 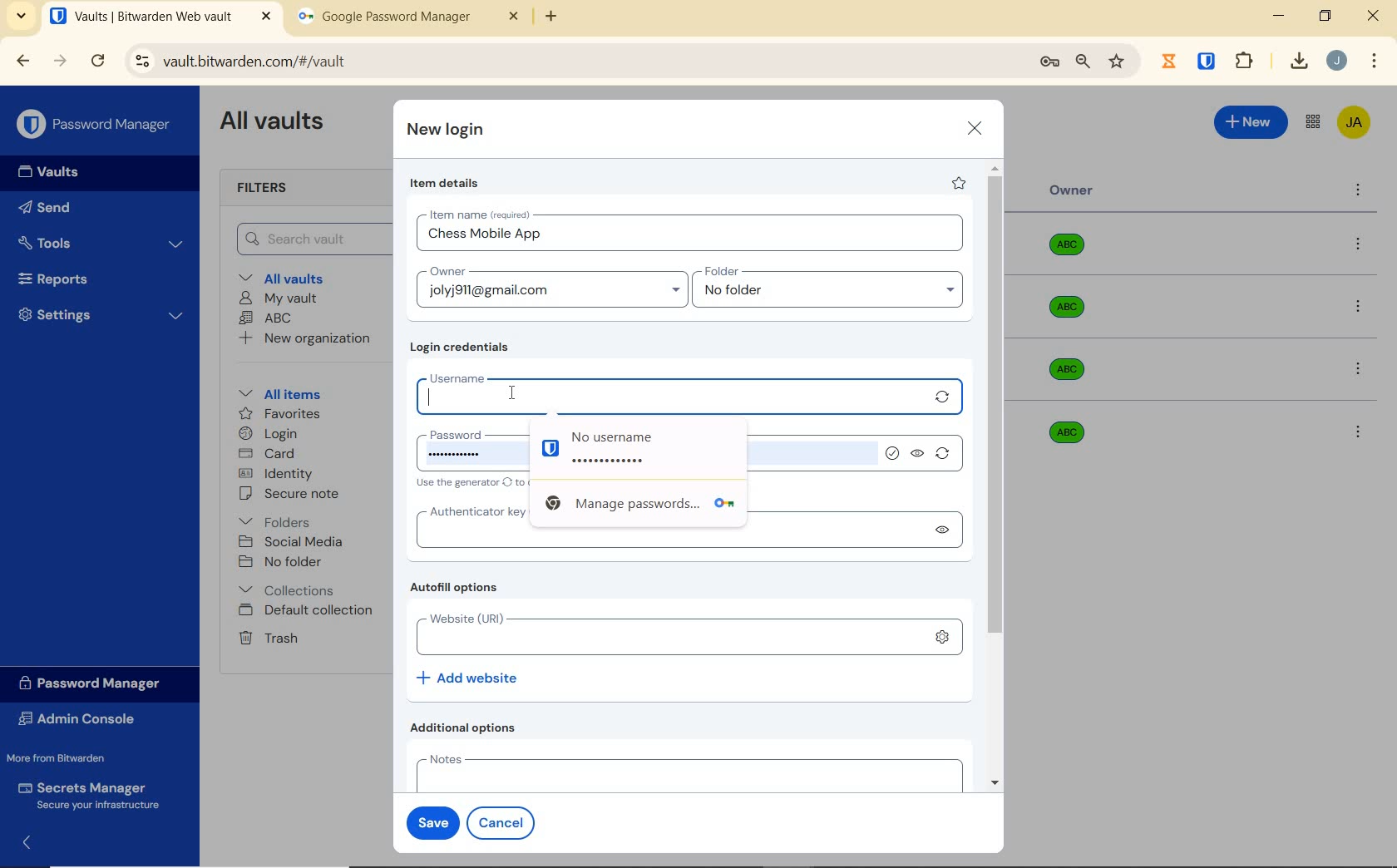 I want to click on Login credentials, so click(x=463, y=348).